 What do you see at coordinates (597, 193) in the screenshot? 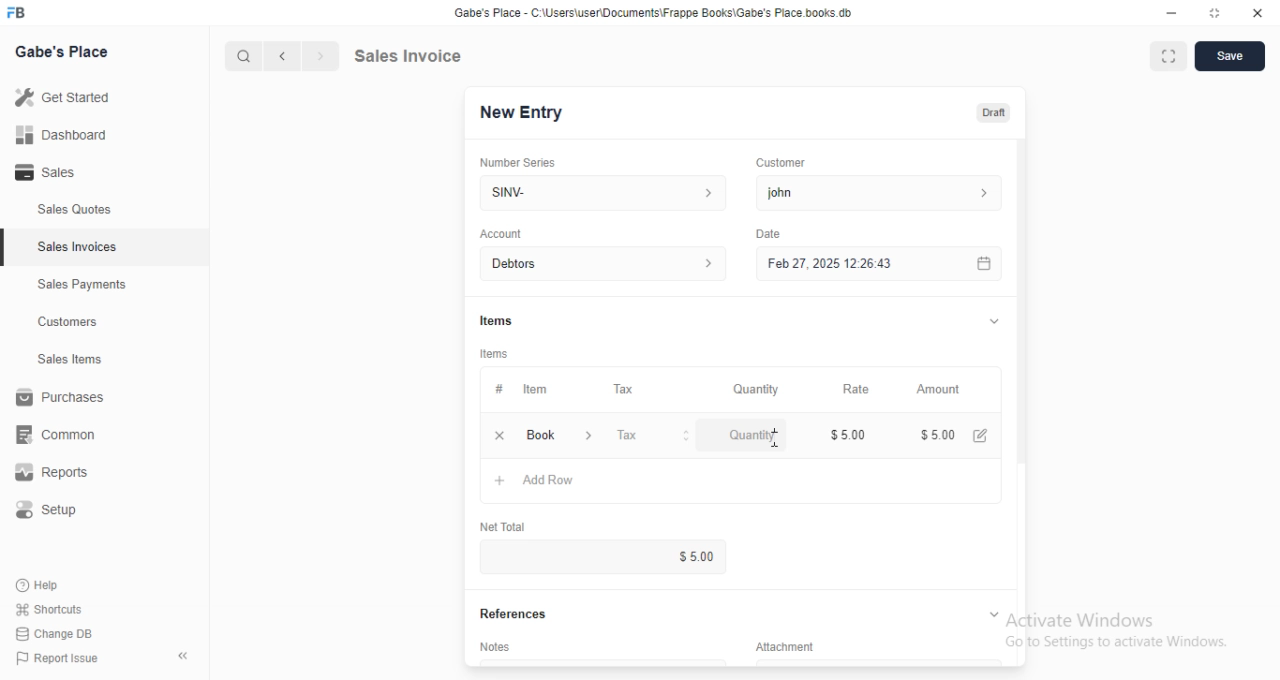
I see `SINV- >` at bounding box center [597, 193].